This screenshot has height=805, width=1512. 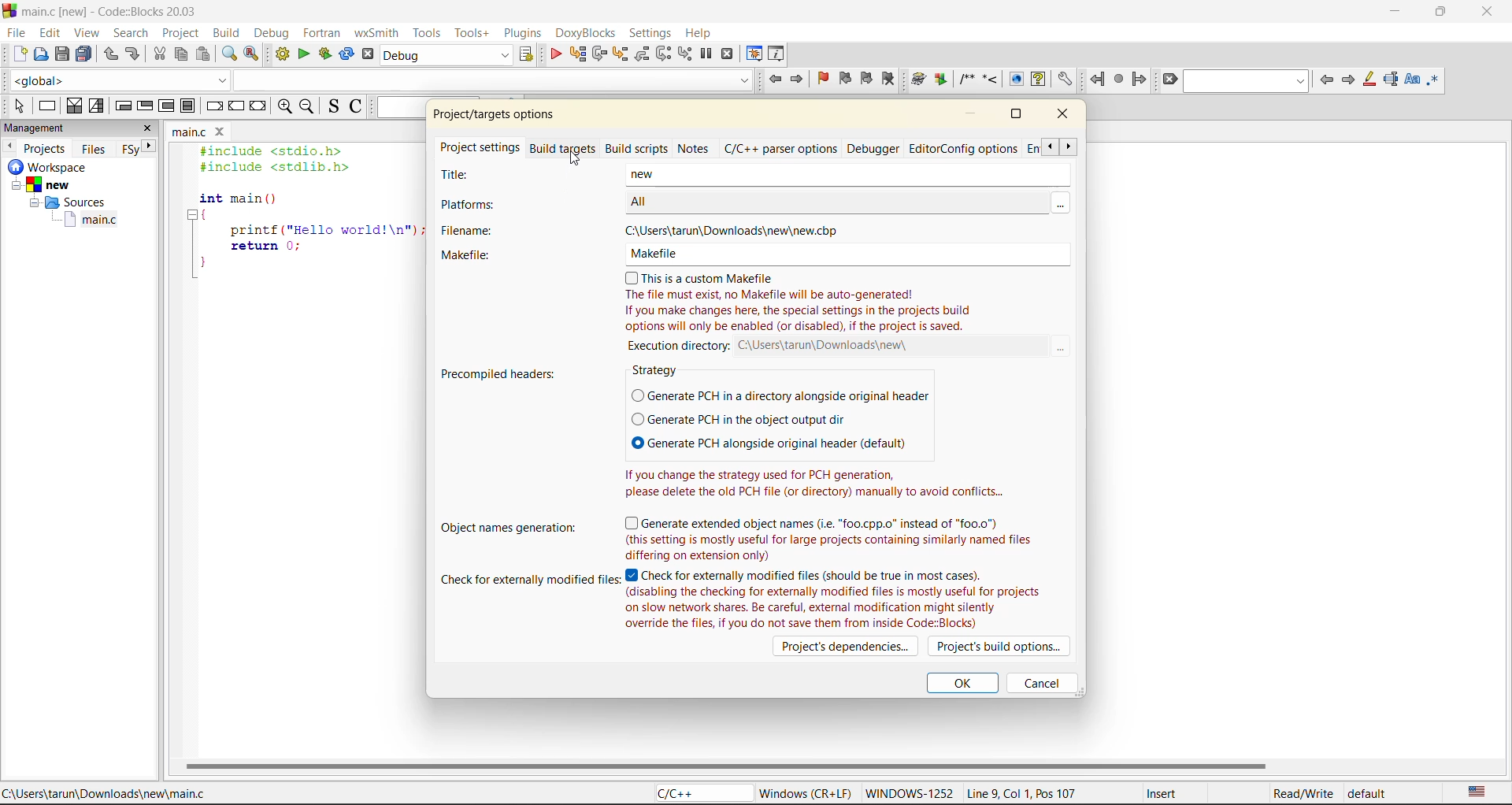 I want to click on match case, so click(x=1413, y=80).